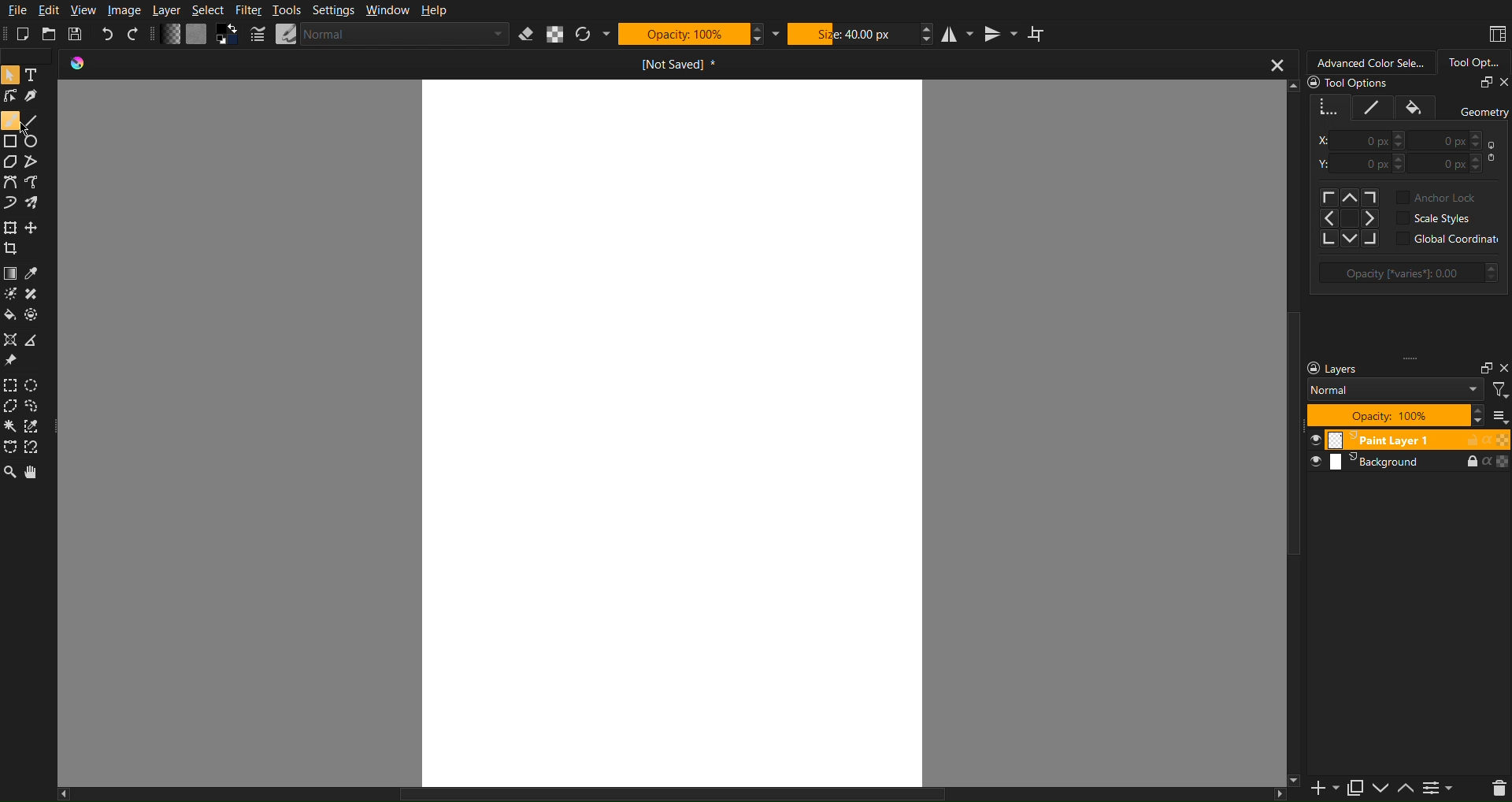 The image size is (1512, 802). What do you see at coordinates (39, 473) in the screenshot?
I see `Pan` at bounding box center [39, 473].